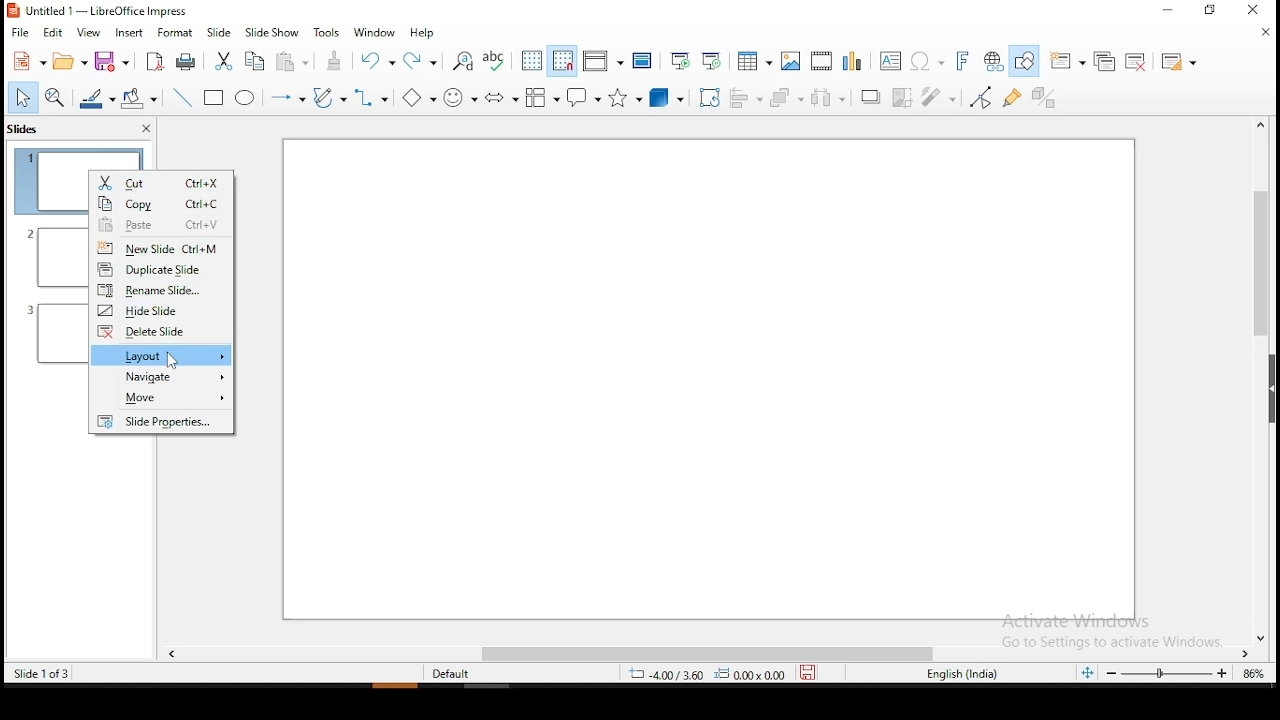 The image size is (1280, 720). What do you see at coordinates (185, 99) in the screenshot?
I see `line` at bounding box center [185, 99].